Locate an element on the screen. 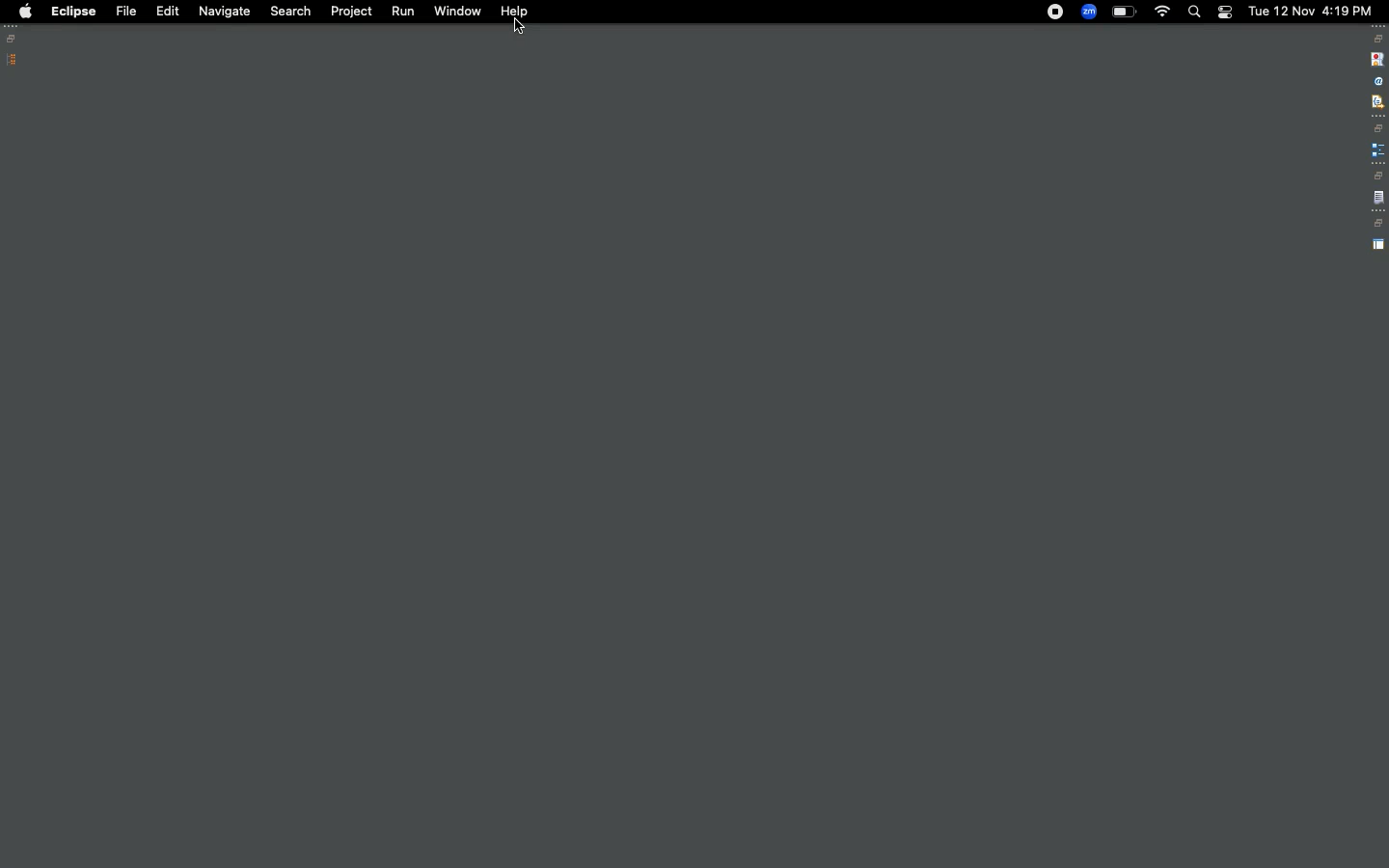 The height and width of the screenshot is (868, 1389). perspective is located at coordinates (1378, 245).